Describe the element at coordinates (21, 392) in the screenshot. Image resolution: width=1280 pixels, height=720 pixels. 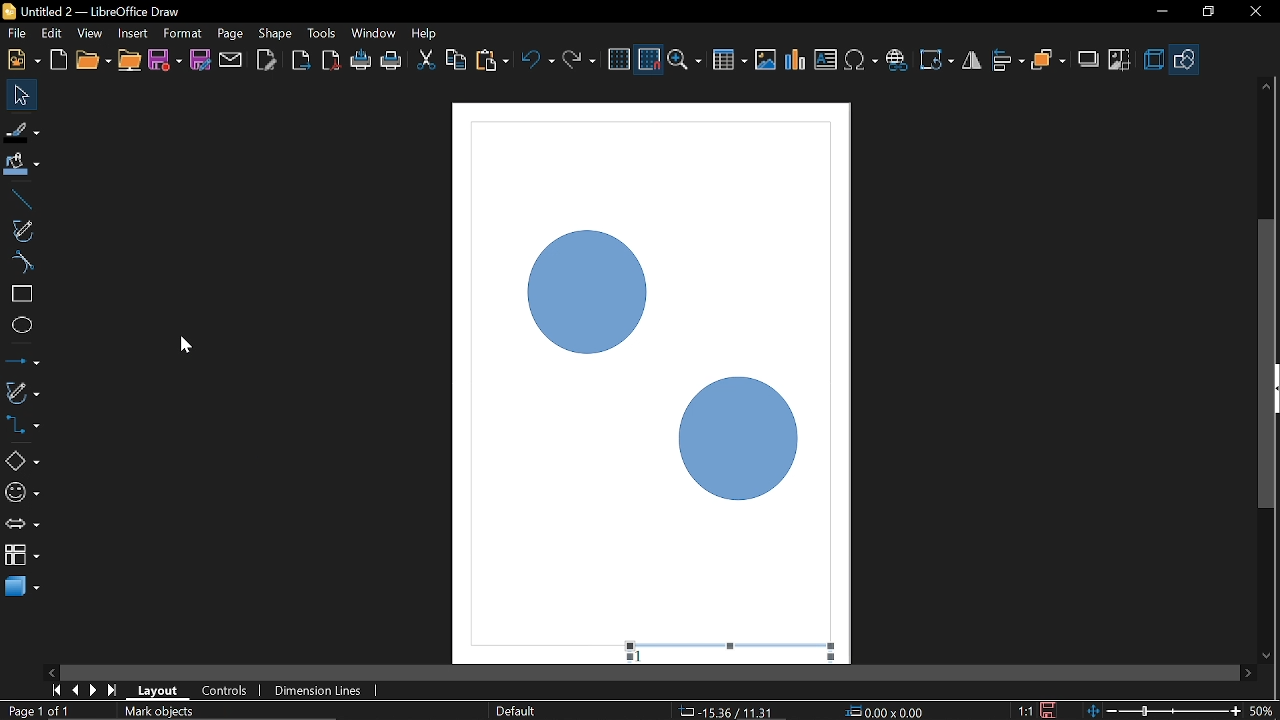
I see `Curves and polygons` at that location.